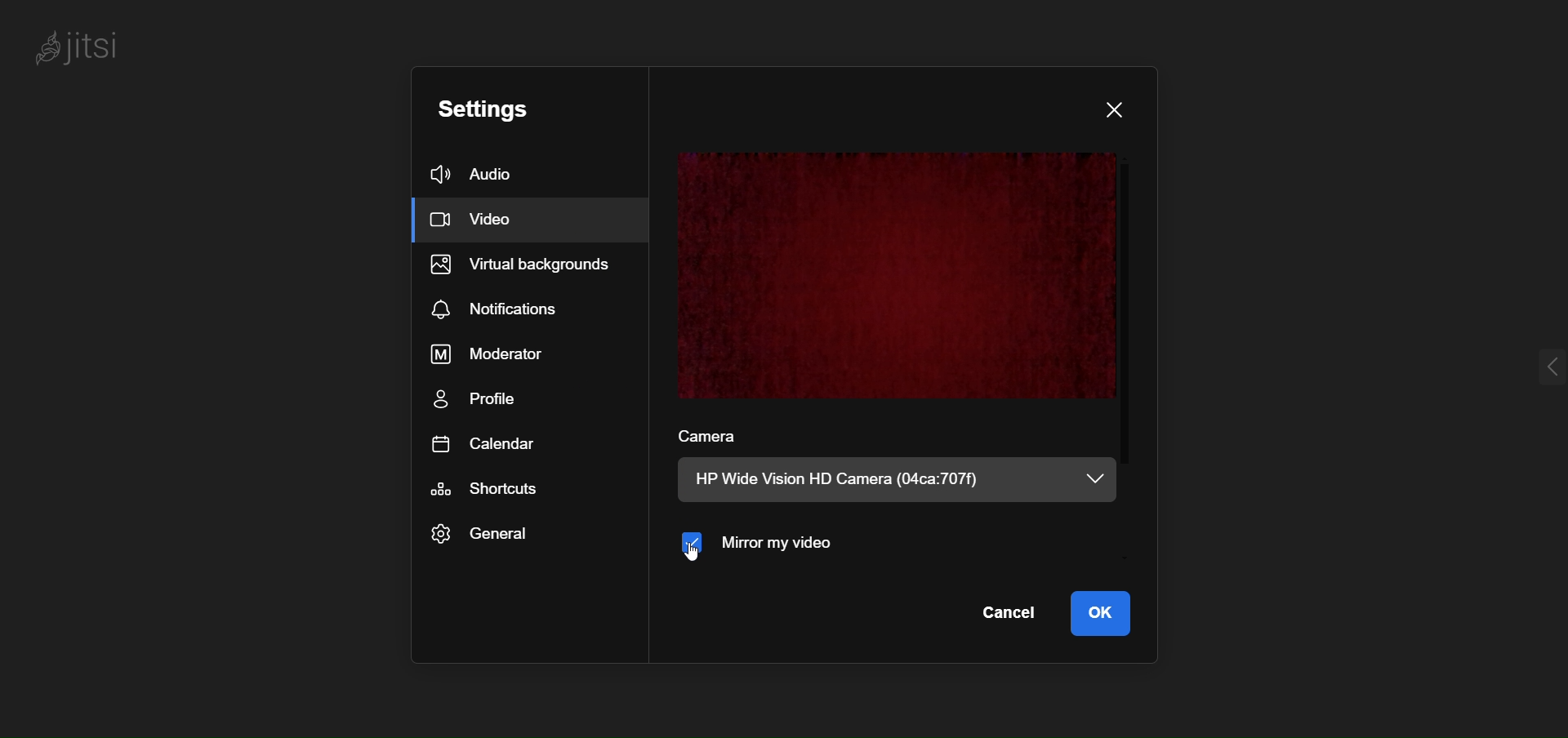  Describe the element at coordinates (493, 443) in the screenshot. I see `calendar` at that location.